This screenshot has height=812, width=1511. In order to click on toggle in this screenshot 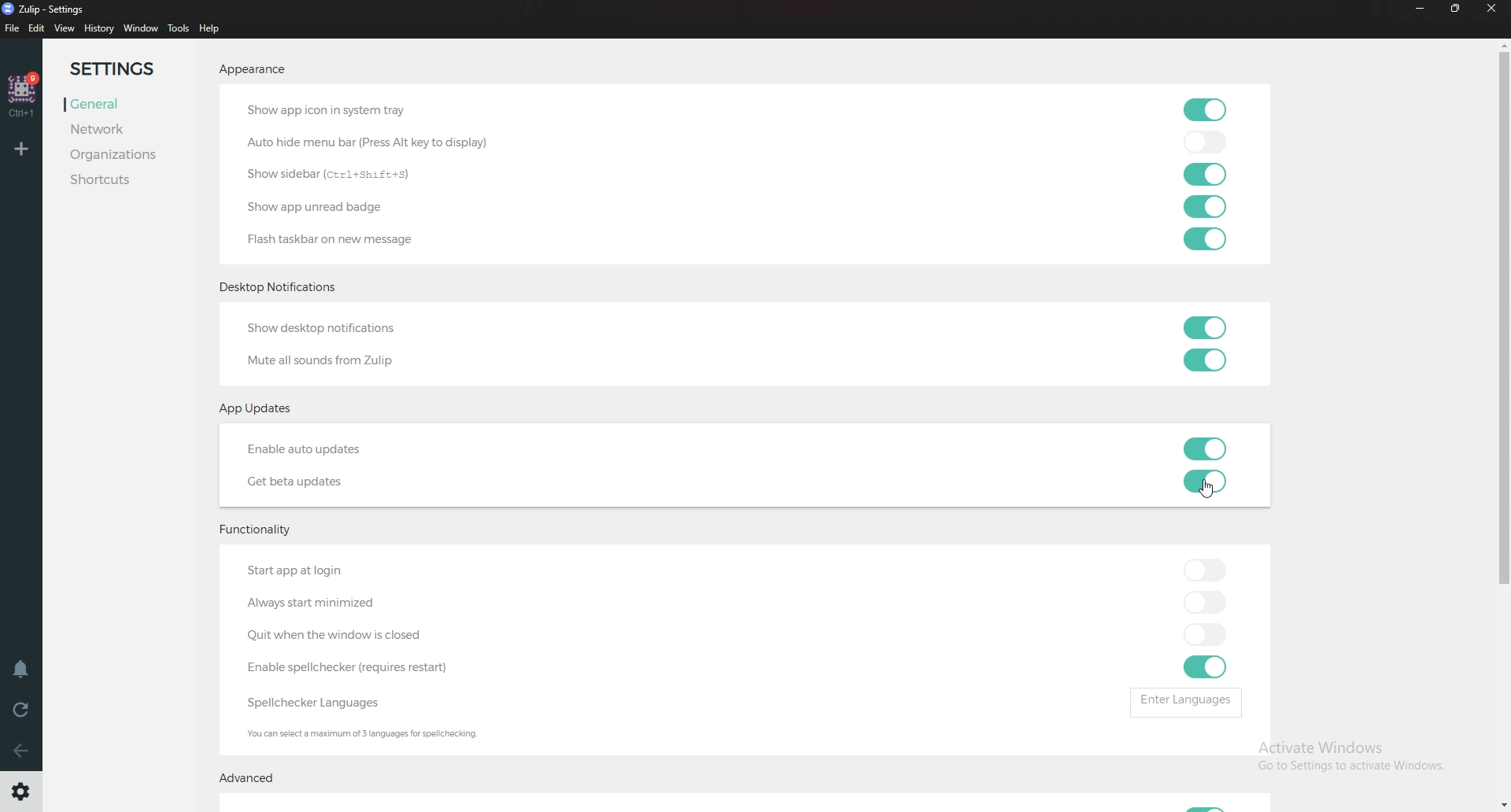, I will do `click(1205, 205)`.